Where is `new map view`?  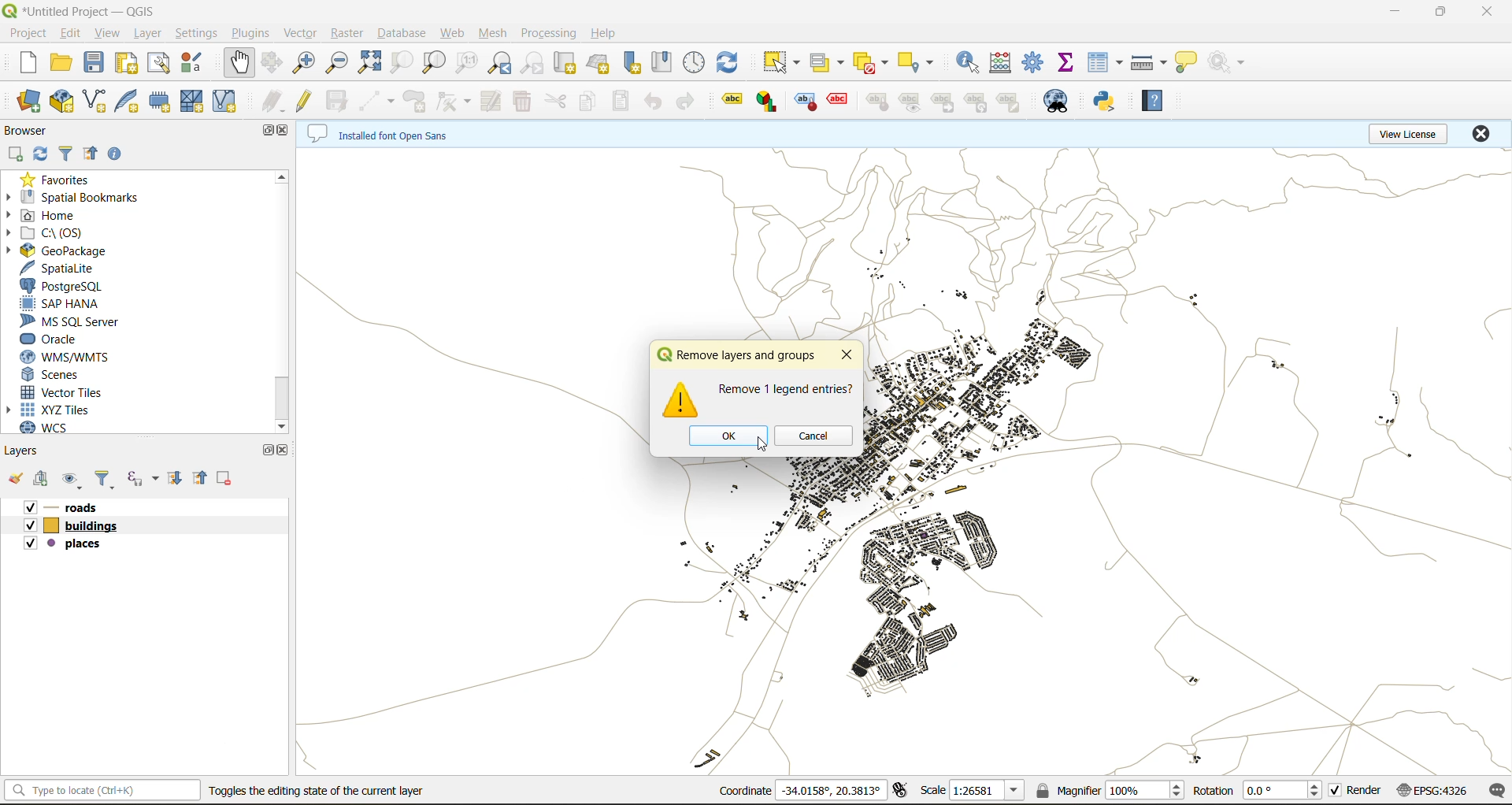
new map view is located at coordinates (565, 63).